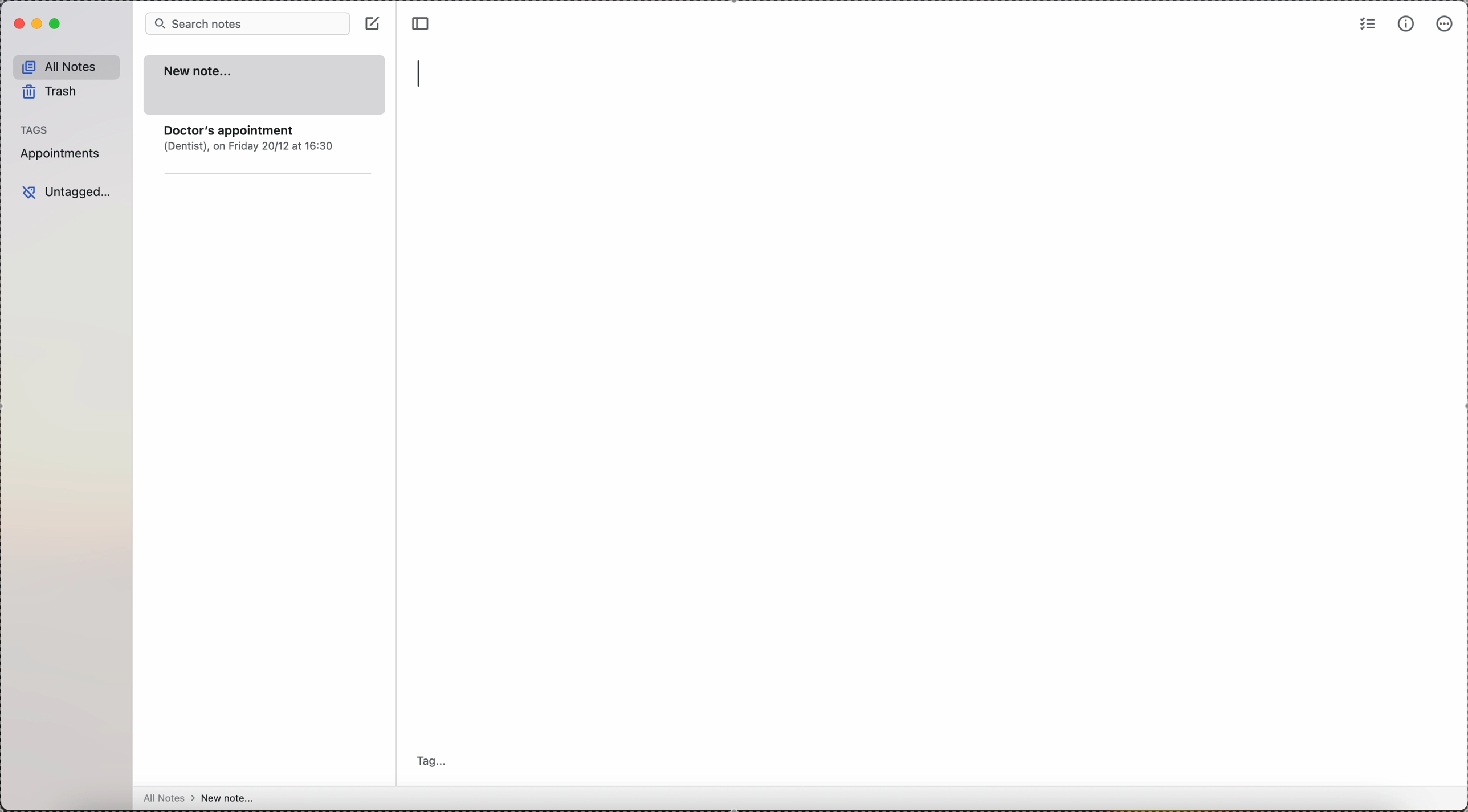 The width and height of the screenshot is (1468, 812). Describe the element at coordinates (1406, 24) in the screenshot. I see `metrics` at that location.